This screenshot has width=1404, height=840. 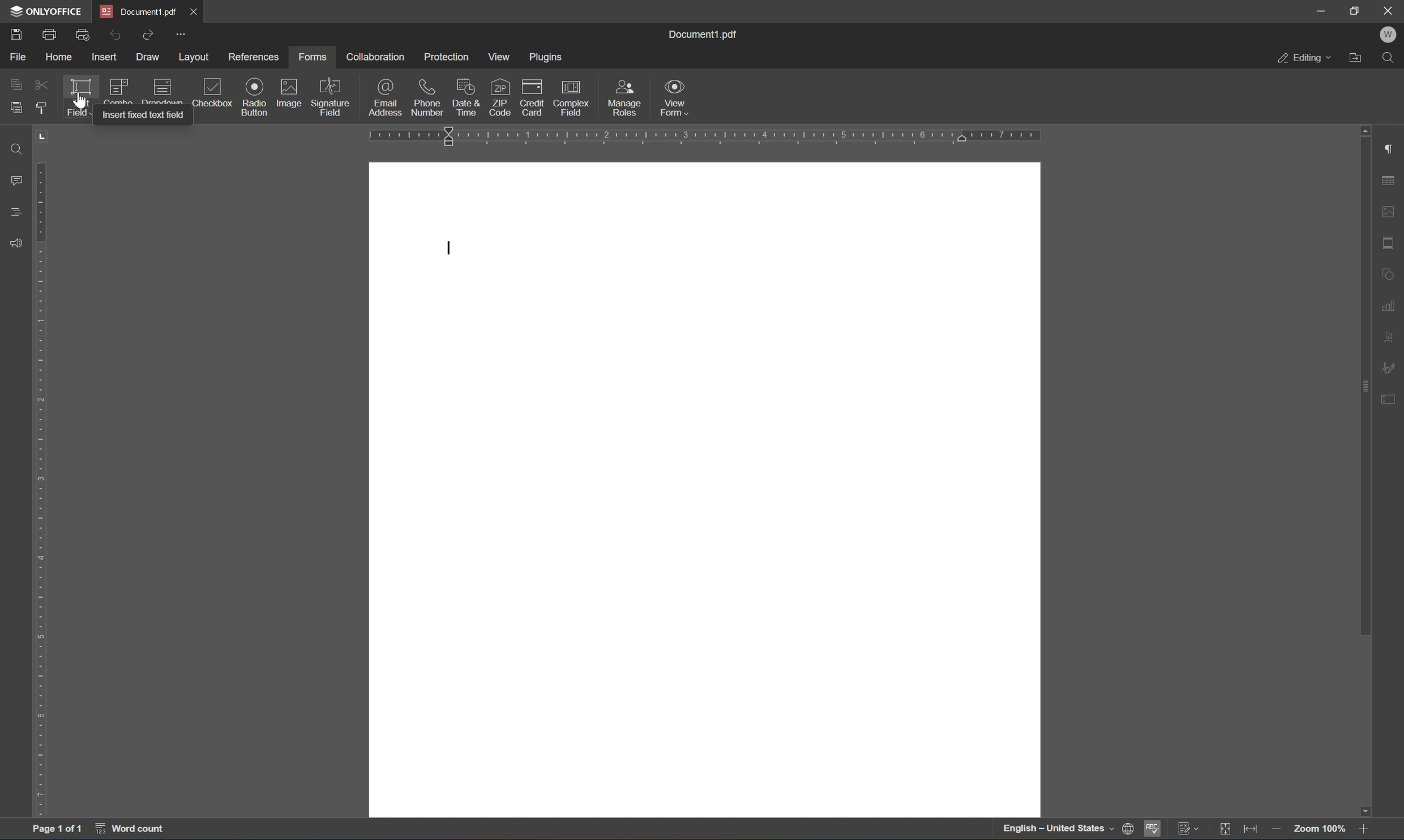 What do you see at coordinates (81, 34) in the screenshot?
I see `quick print` at bounding box center [81, 34].